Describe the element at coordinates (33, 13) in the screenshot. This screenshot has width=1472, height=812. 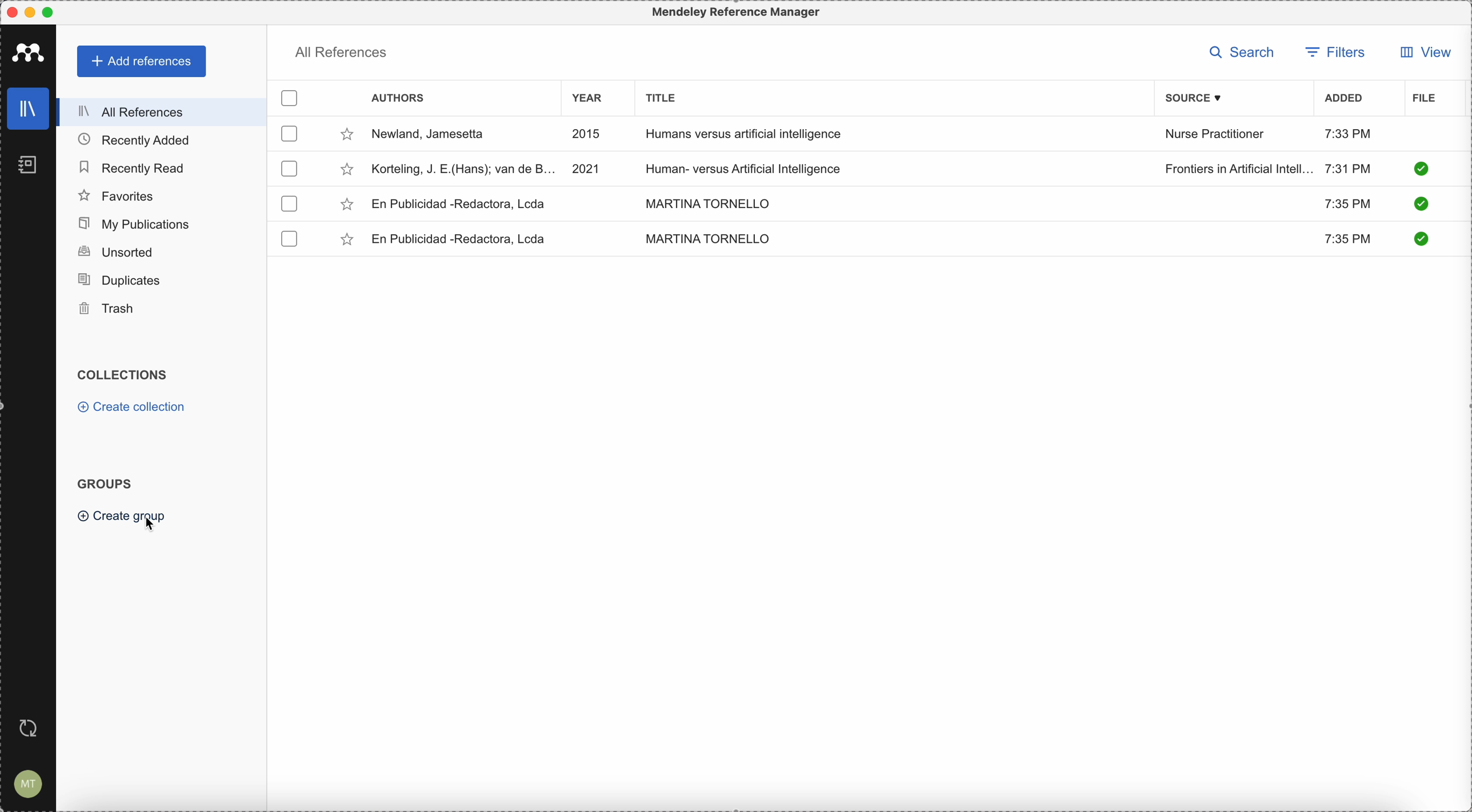
I see `minimize` at that location.